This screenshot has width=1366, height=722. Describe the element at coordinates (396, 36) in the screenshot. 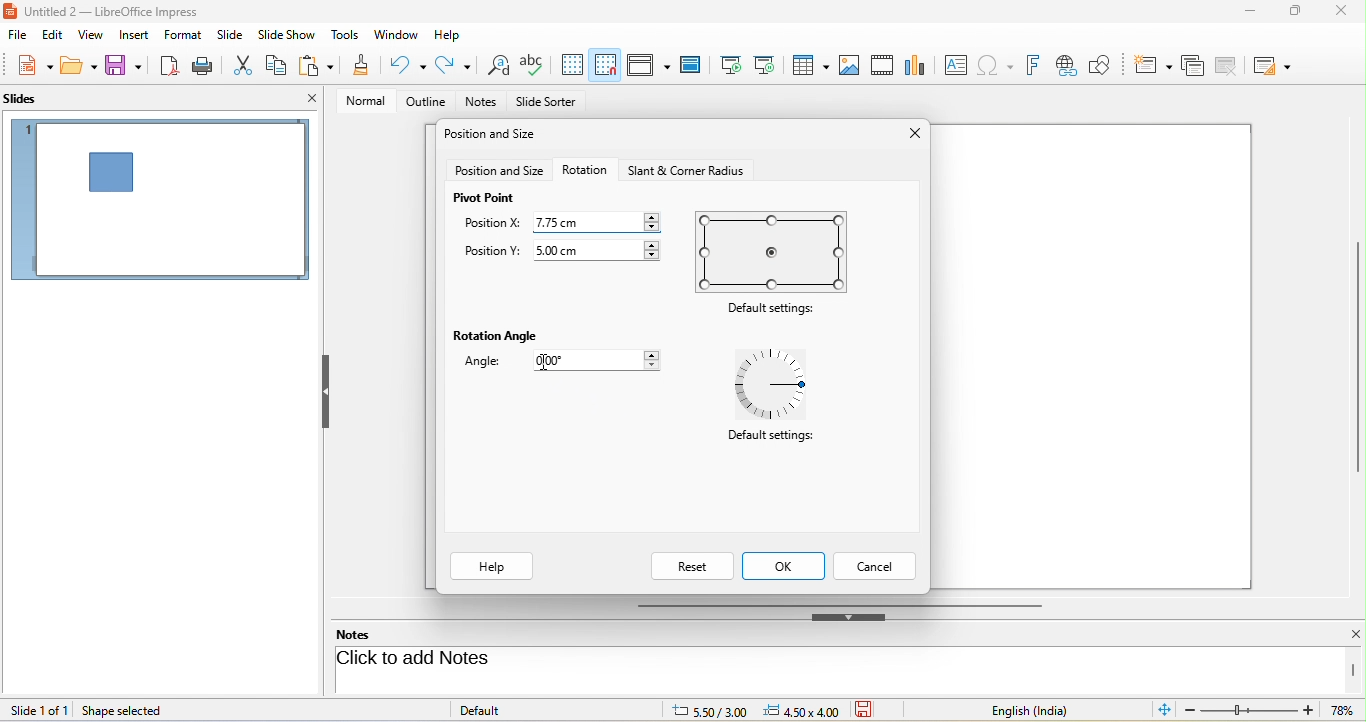

I see `window` at that location.